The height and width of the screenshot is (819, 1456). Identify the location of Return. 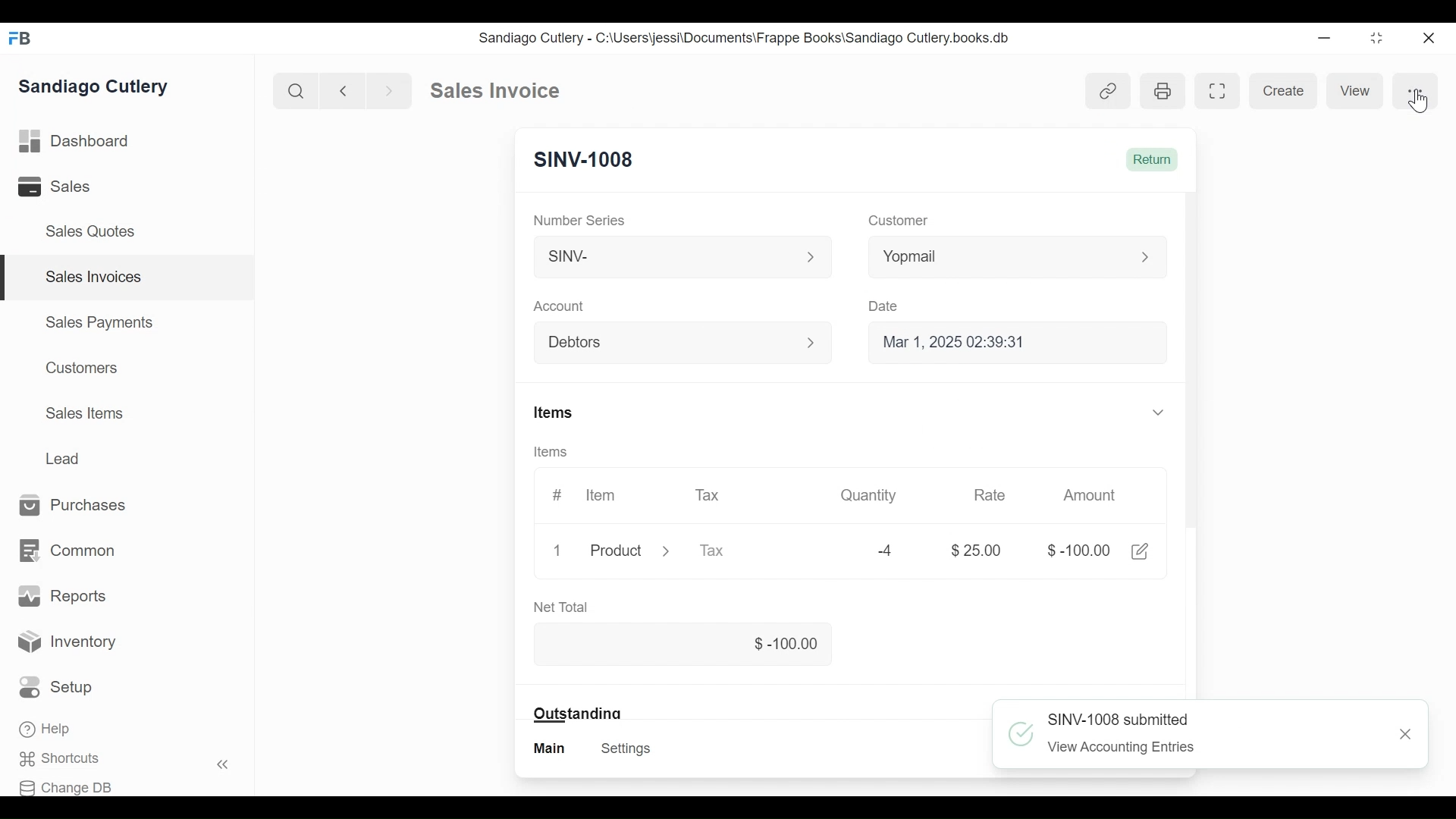
(1154, 159).